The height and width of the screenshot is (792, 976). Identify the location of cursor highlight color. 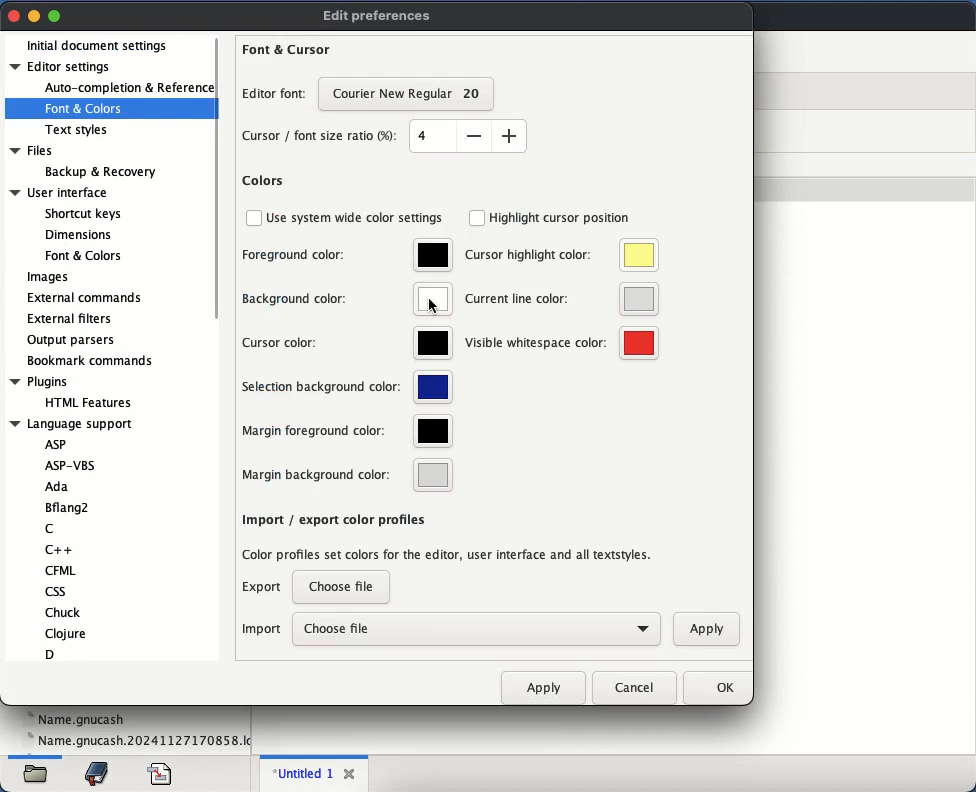
(563, 255).